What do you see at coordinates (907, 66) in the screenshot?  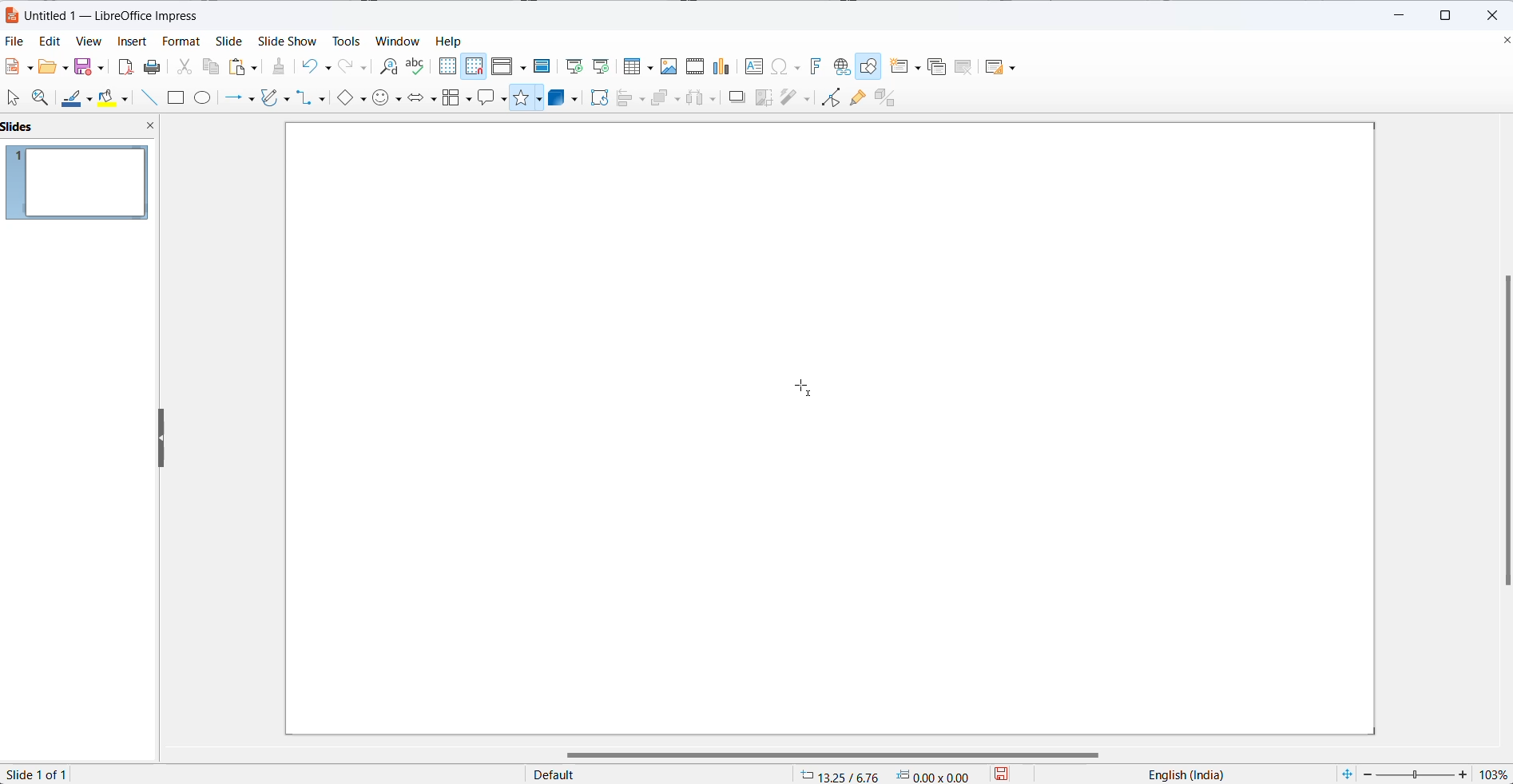 I see `NEW SLIDE` at bounding box center [907, 66].